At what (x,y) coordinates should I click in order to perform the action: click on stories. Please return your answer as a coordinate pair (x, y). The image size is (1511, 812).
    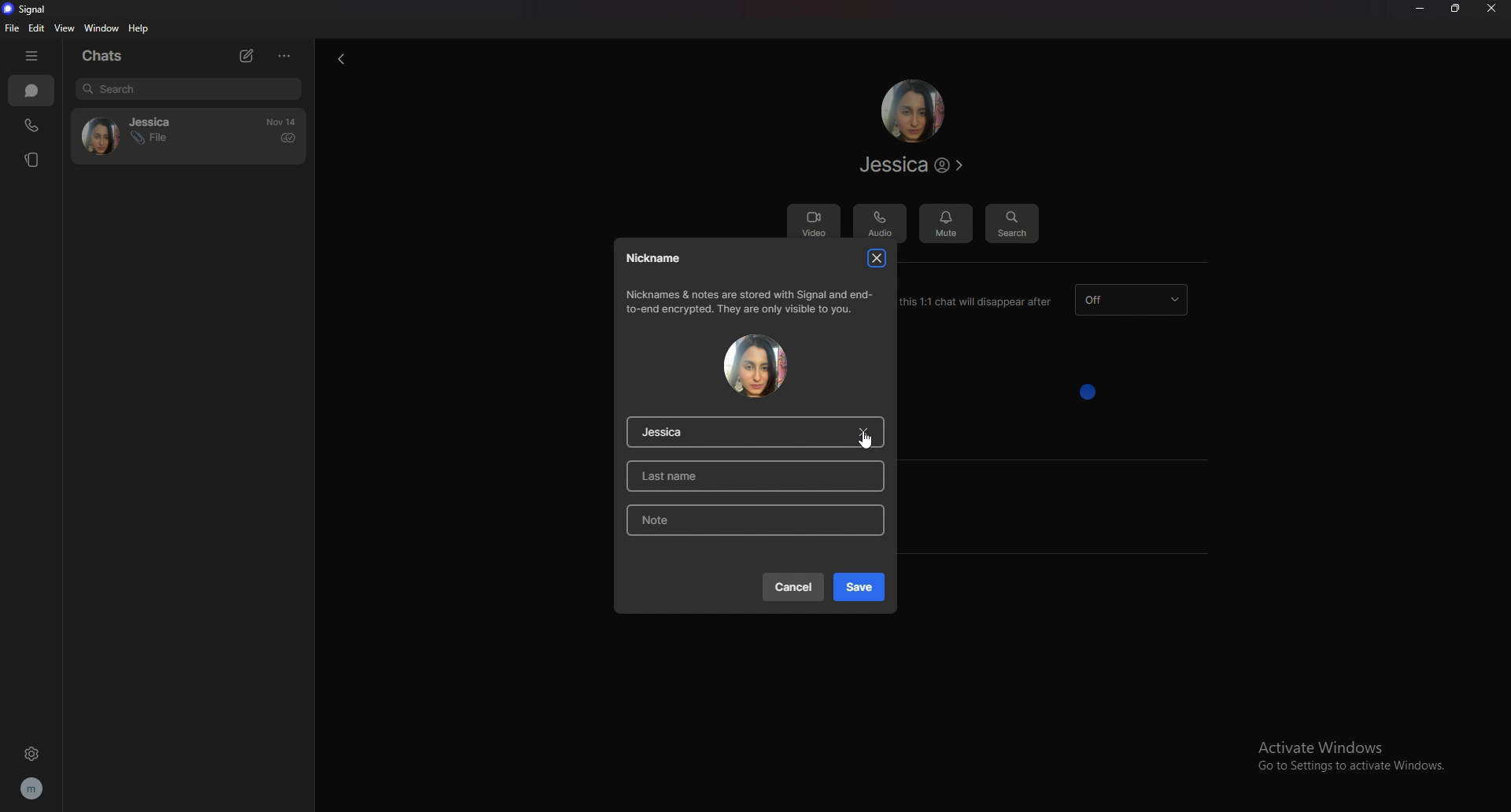
    Looking at the image, I should click on (29, 160).